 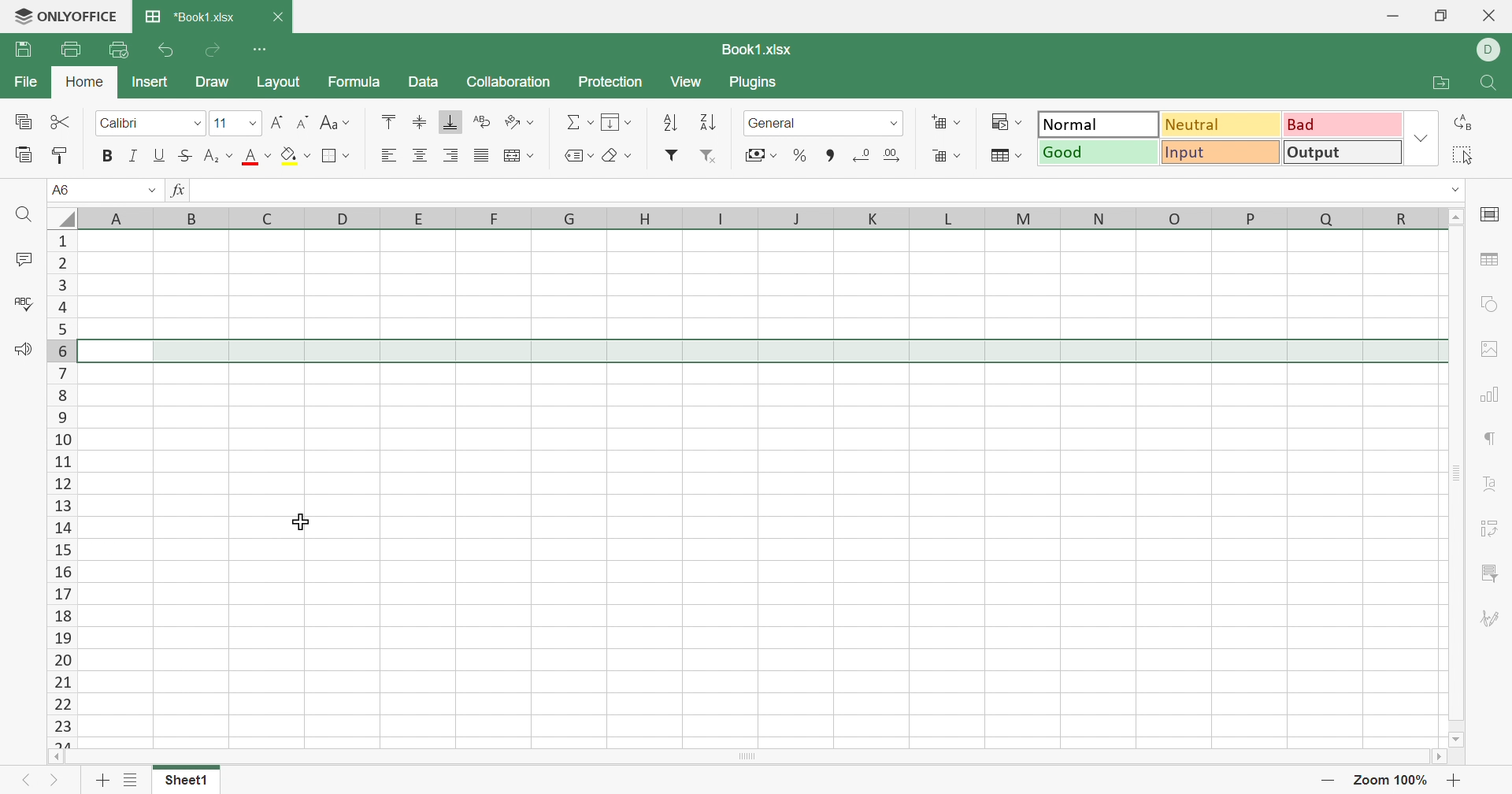 I want to click on Align Bottom, so click(x=446, y=123).